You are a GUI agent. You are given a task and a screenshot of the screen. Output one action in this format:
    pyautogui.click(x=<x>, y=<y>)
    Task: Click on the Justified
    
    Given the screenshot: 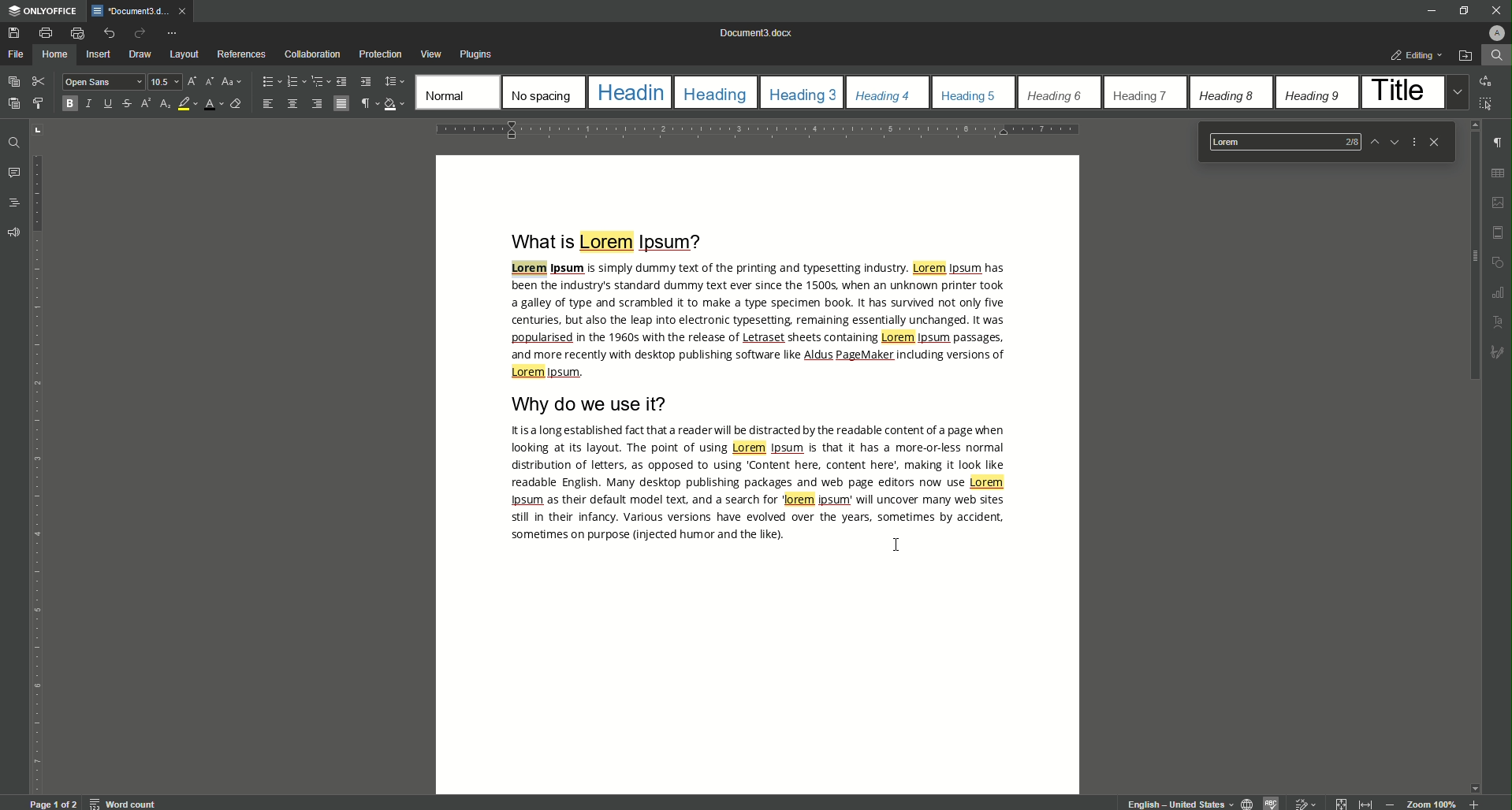 What is the action you would take?
    pyautogui.click(x=341, y=104)
    